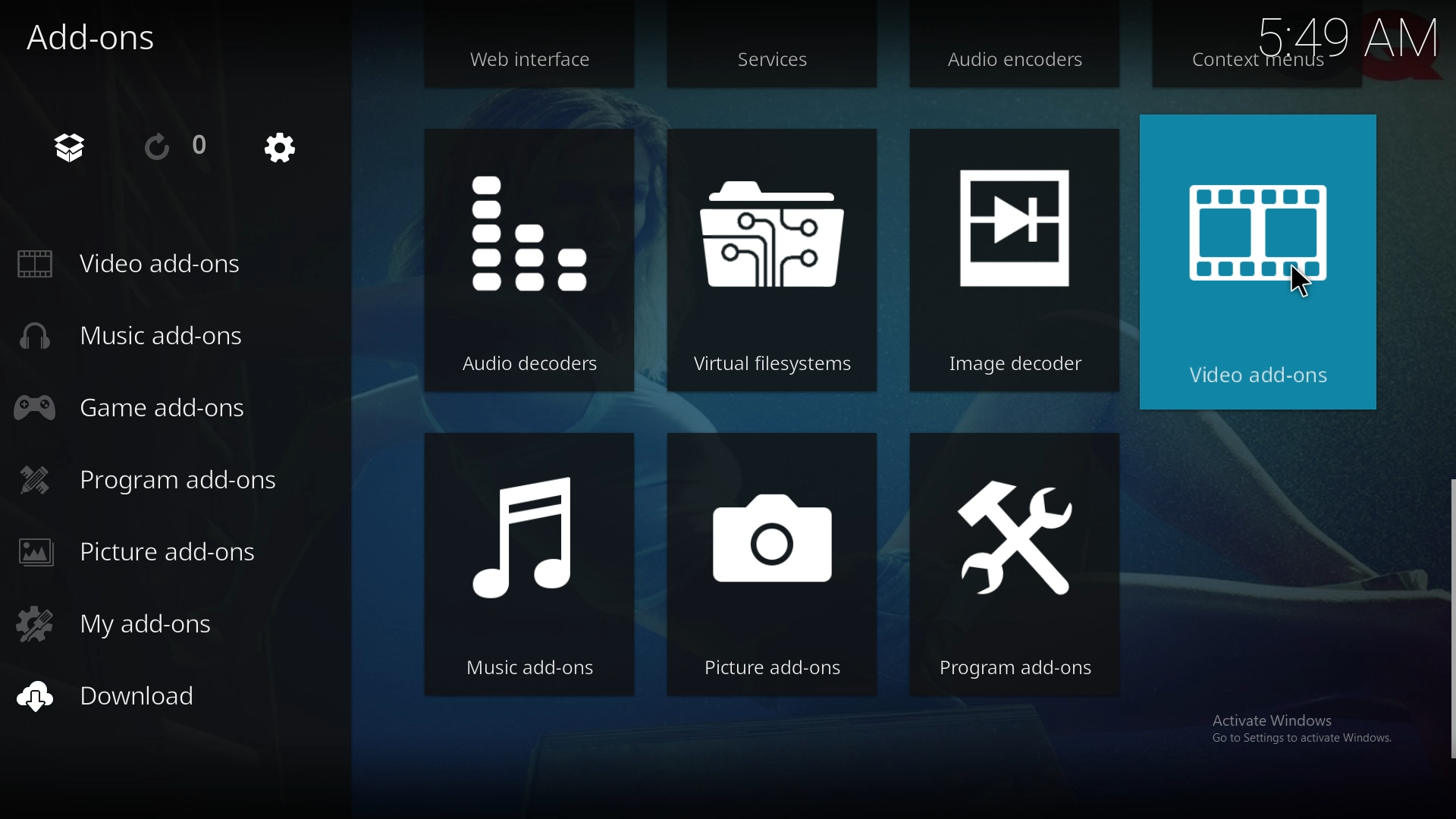 The height and width of the screenshot is (819, 1456). What do you see at coordinates (530, 567) in the screenshot?
I see `music add ons` at bounding box center [530, 567].